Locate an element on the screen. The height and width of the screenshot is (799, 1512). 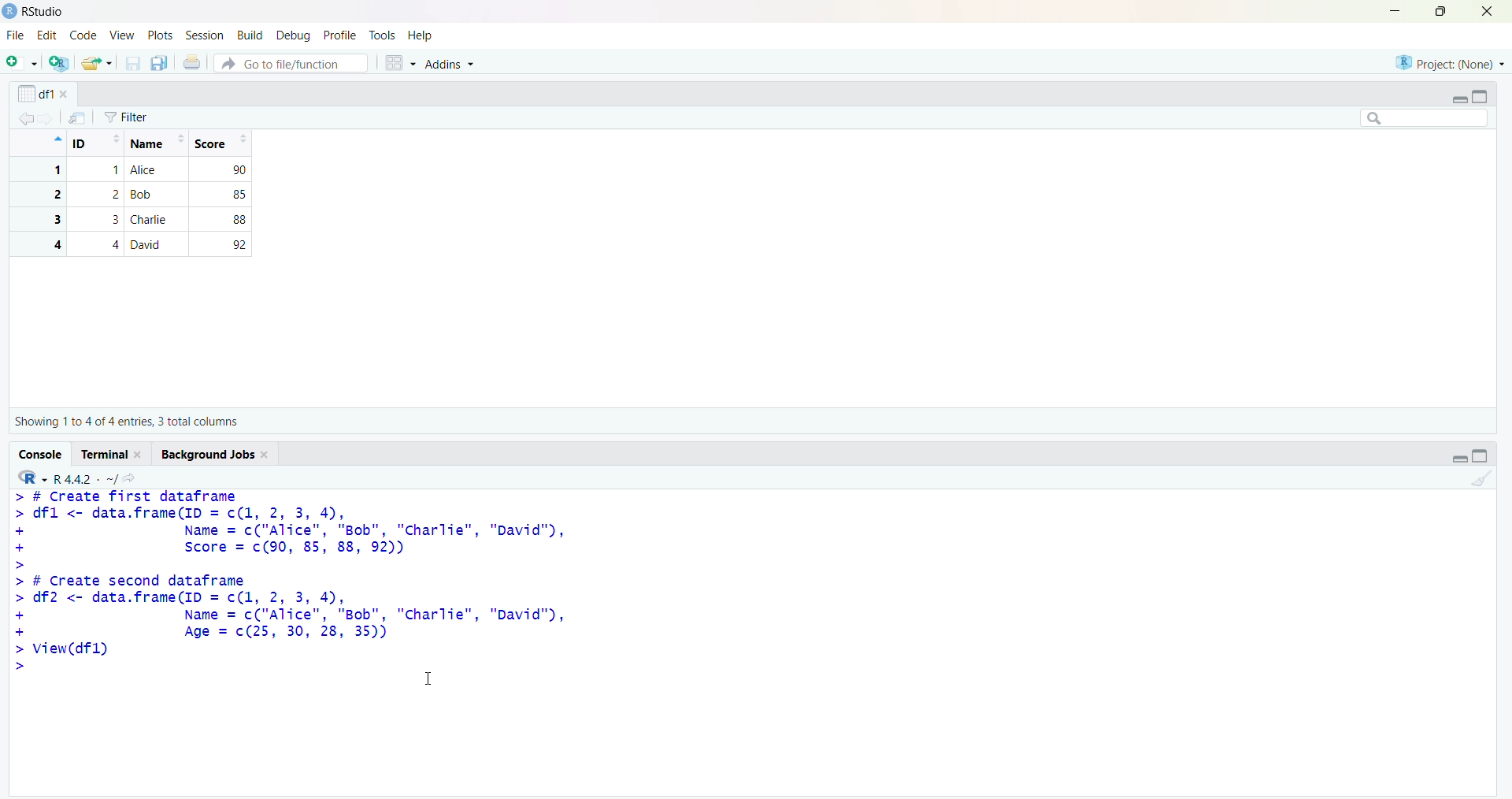
minimise is located at coordinates (1395, 10).